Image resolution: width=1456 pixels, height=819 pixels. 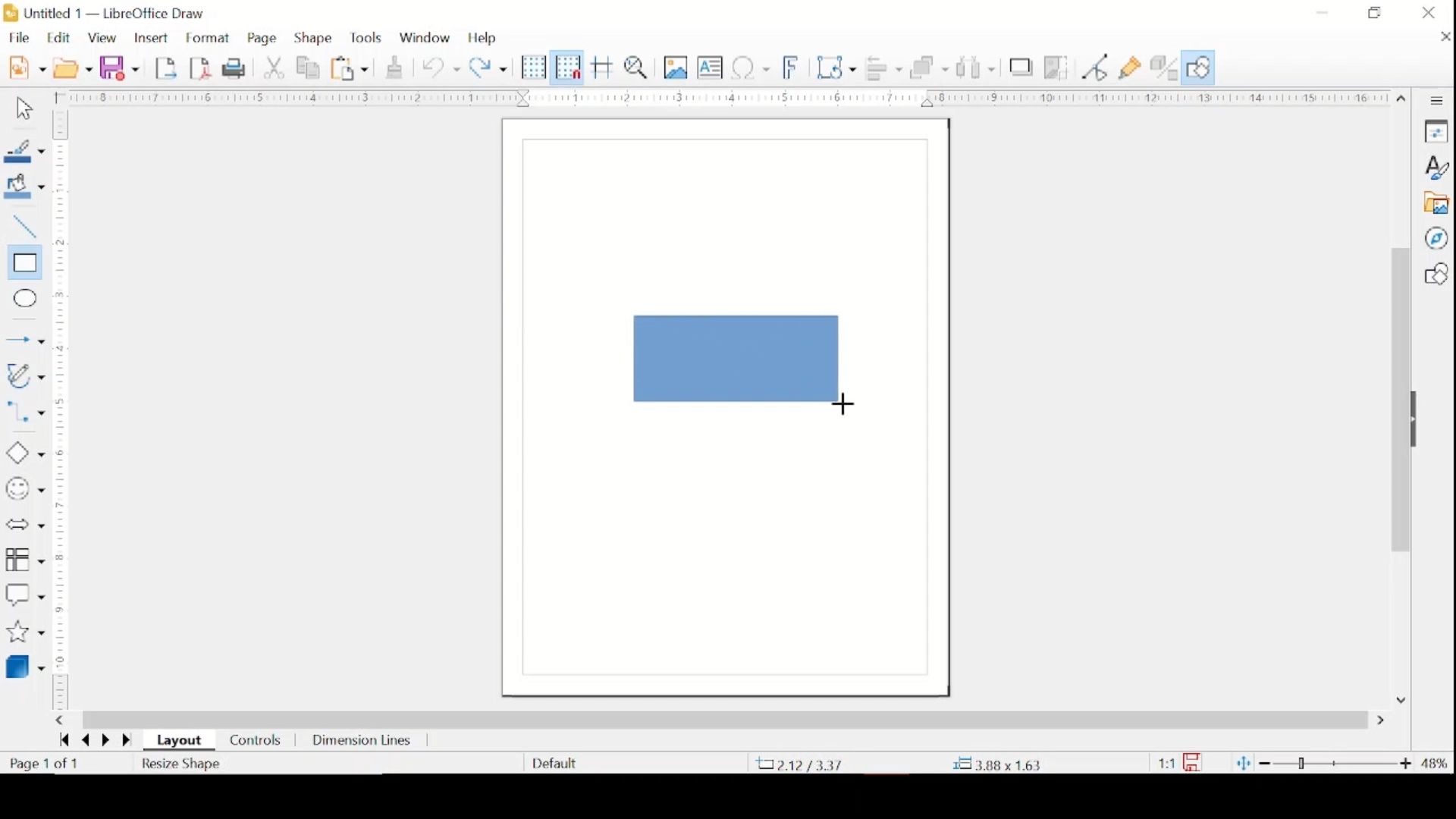 I want to click on drag handle, so click(x=1420, y=420).